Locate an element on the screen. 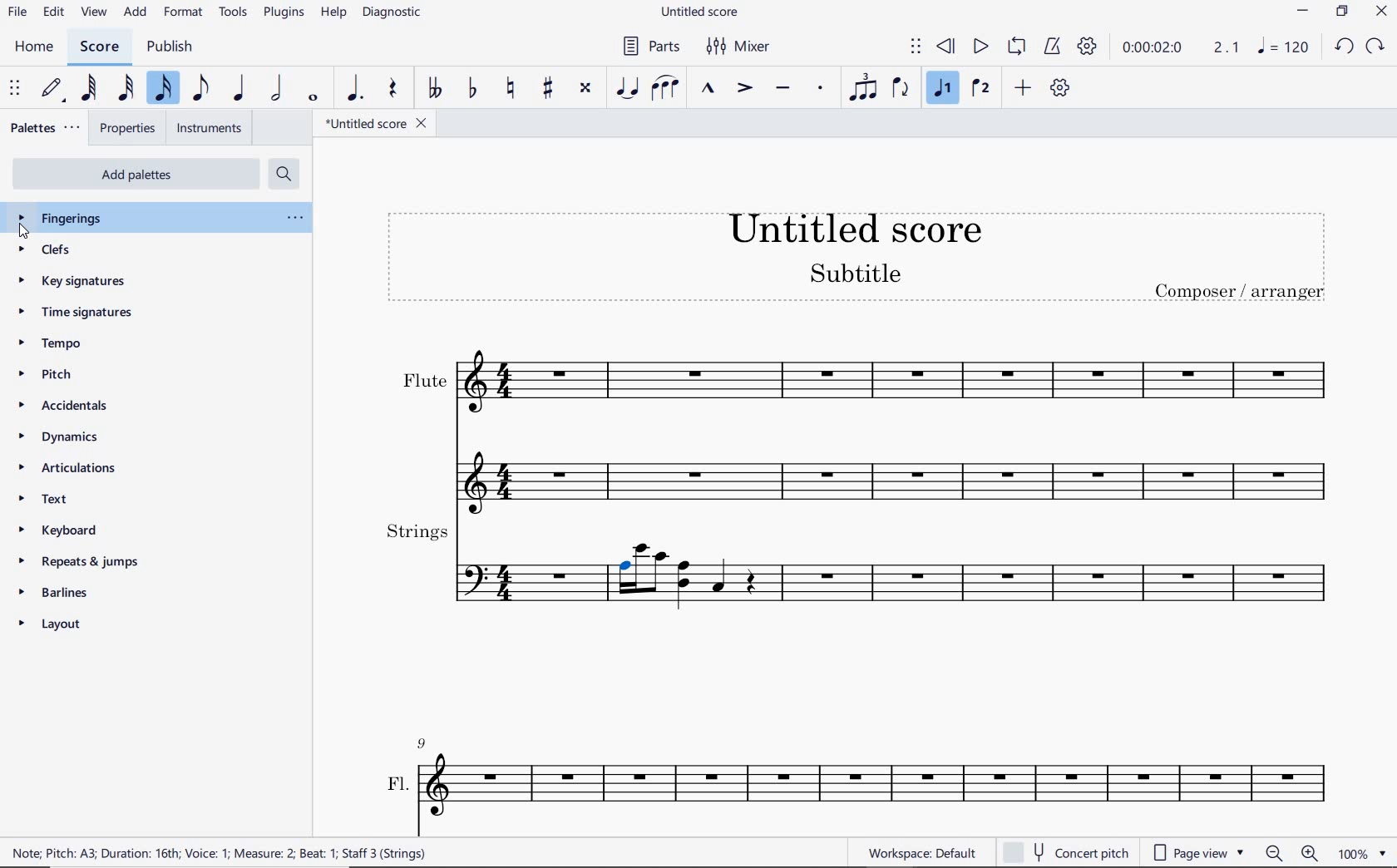  clefs is located at coordinates (61, 250).